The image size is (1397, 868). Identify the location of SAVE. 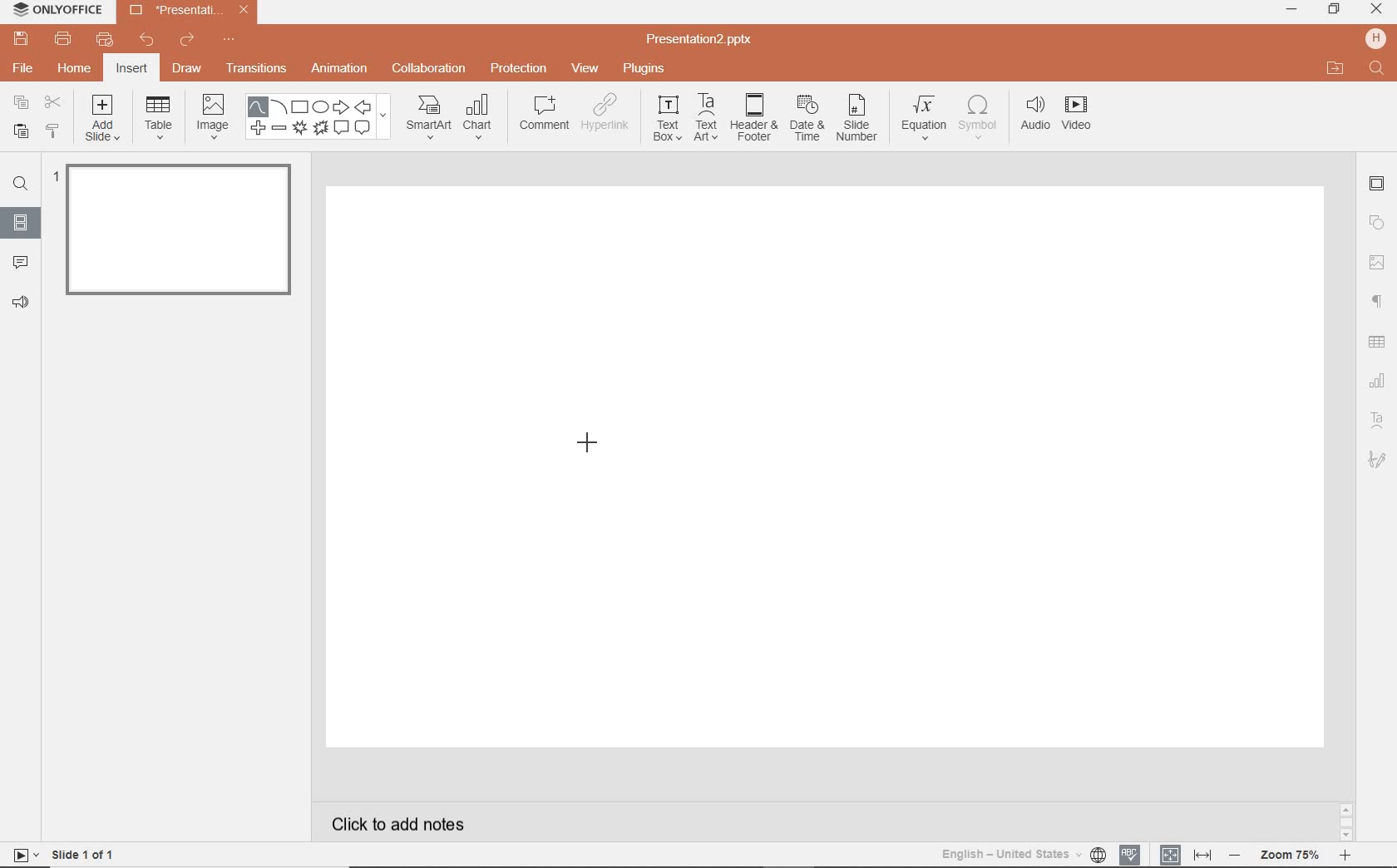
(24, 40).